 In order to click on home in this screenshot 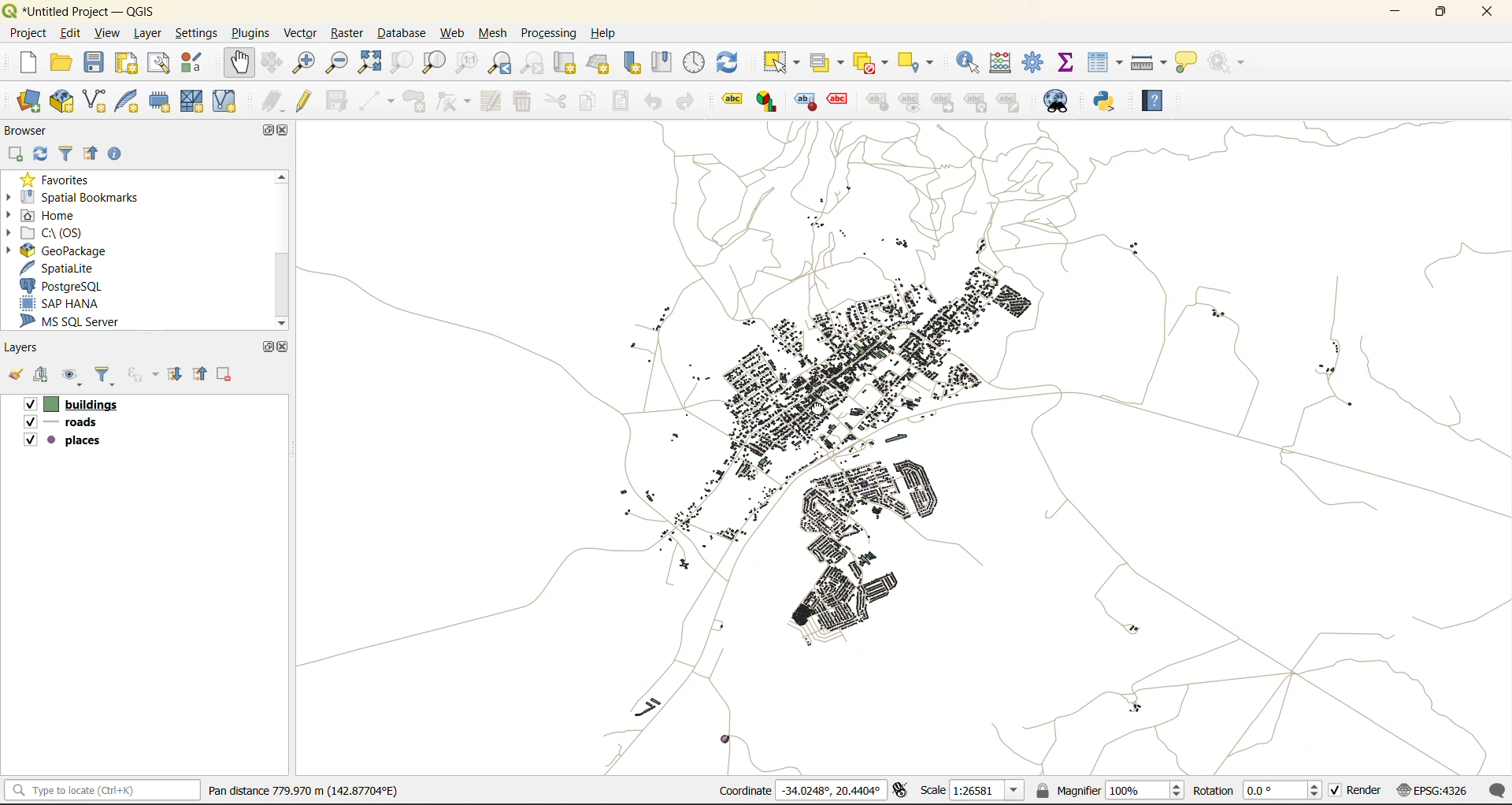, I will do `click(47, 214)`.